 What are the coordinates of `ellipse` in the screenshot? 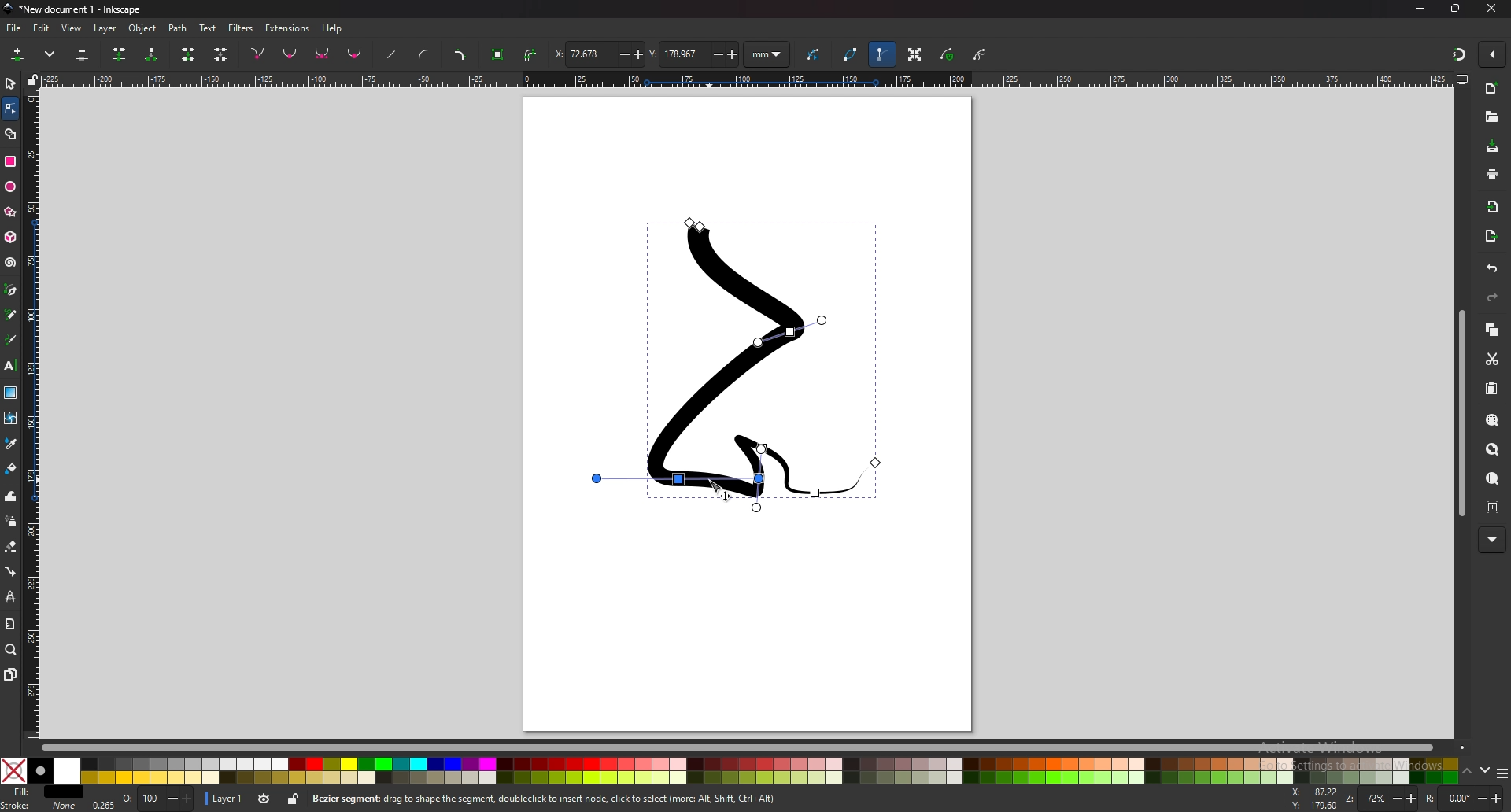 It's located at (9, 187).